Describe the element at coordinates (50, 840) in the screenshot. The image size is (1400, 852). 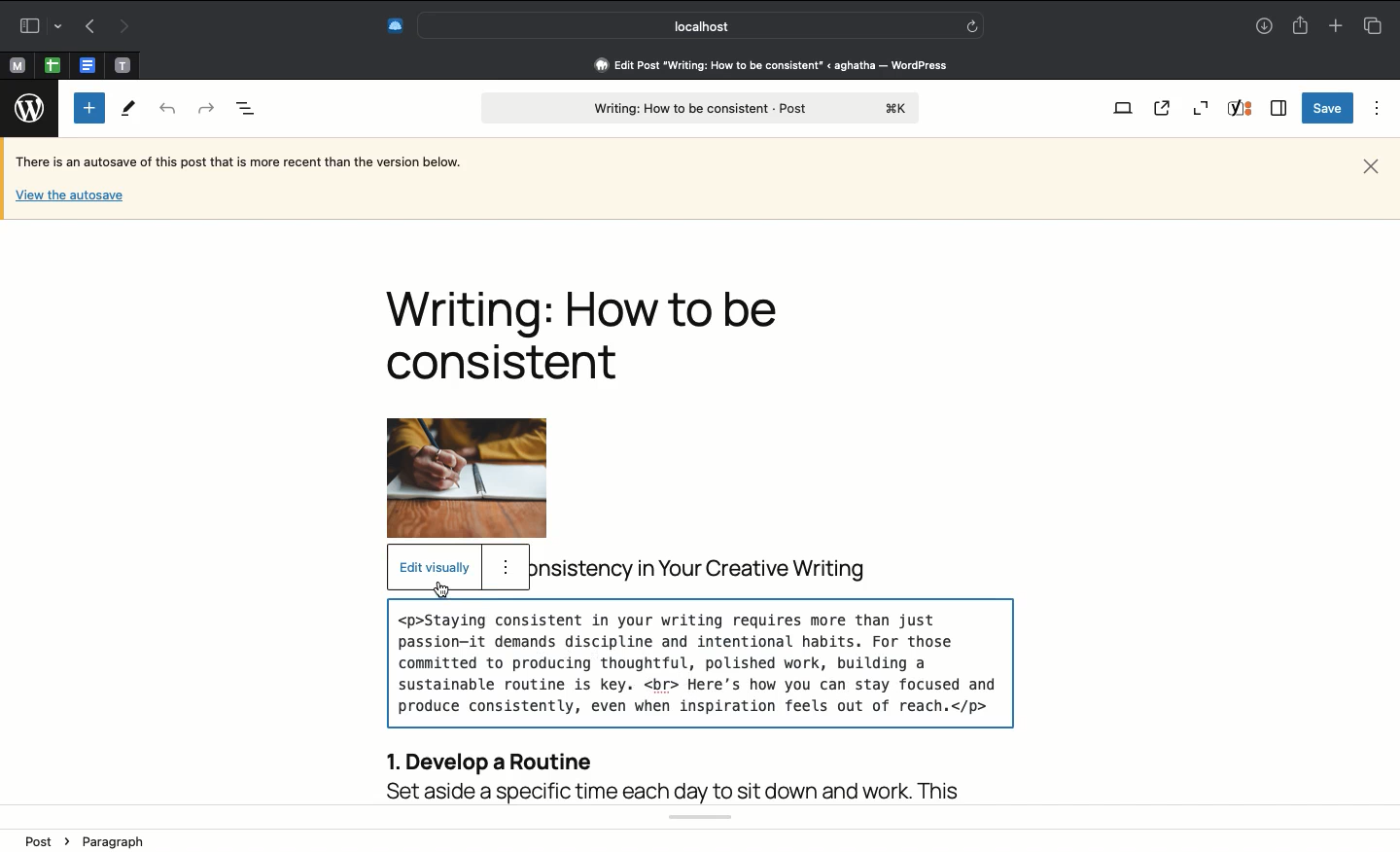
I see `Post` at that location.